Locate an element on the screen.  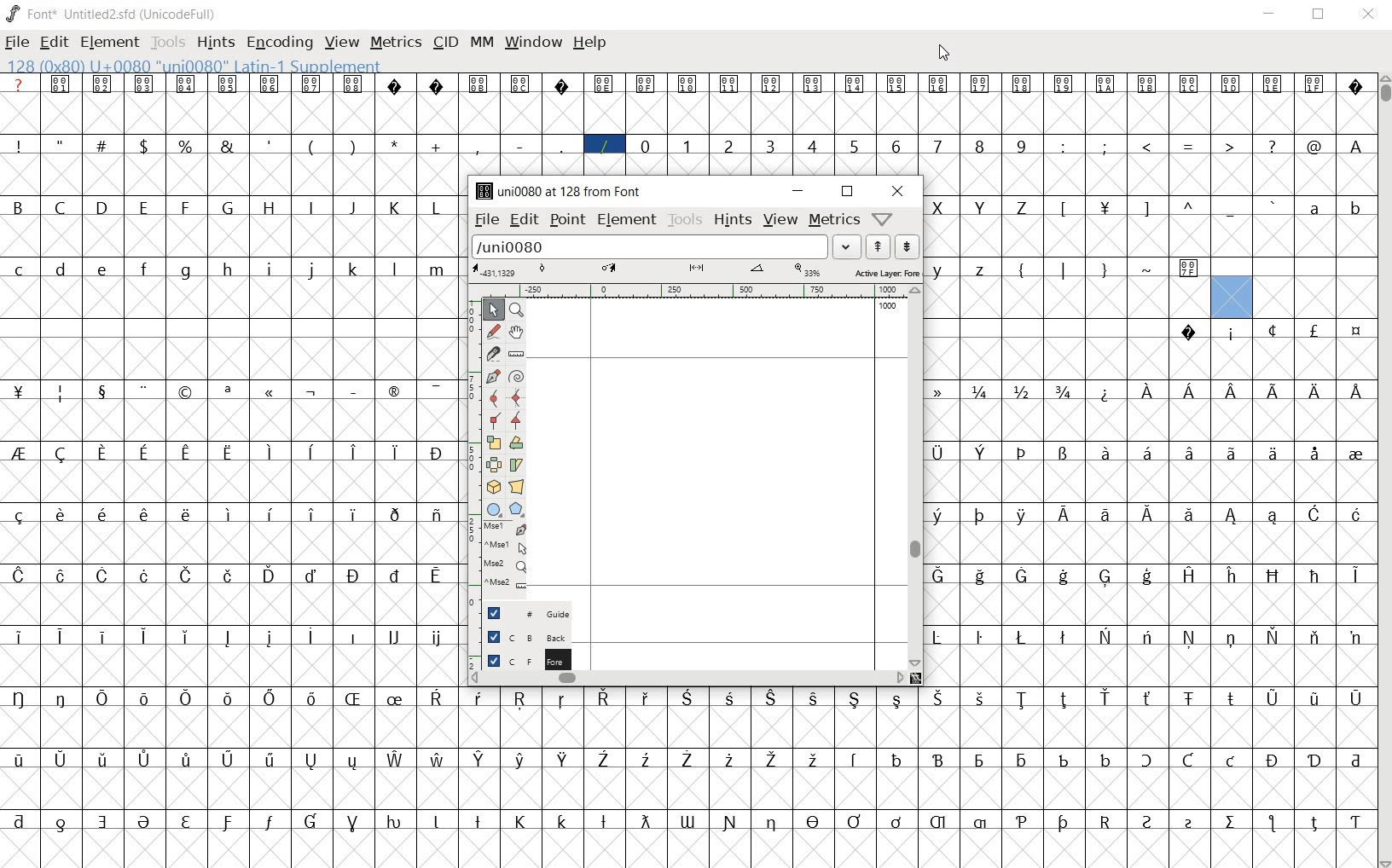
glyph is located at coordinates (1022, 516).